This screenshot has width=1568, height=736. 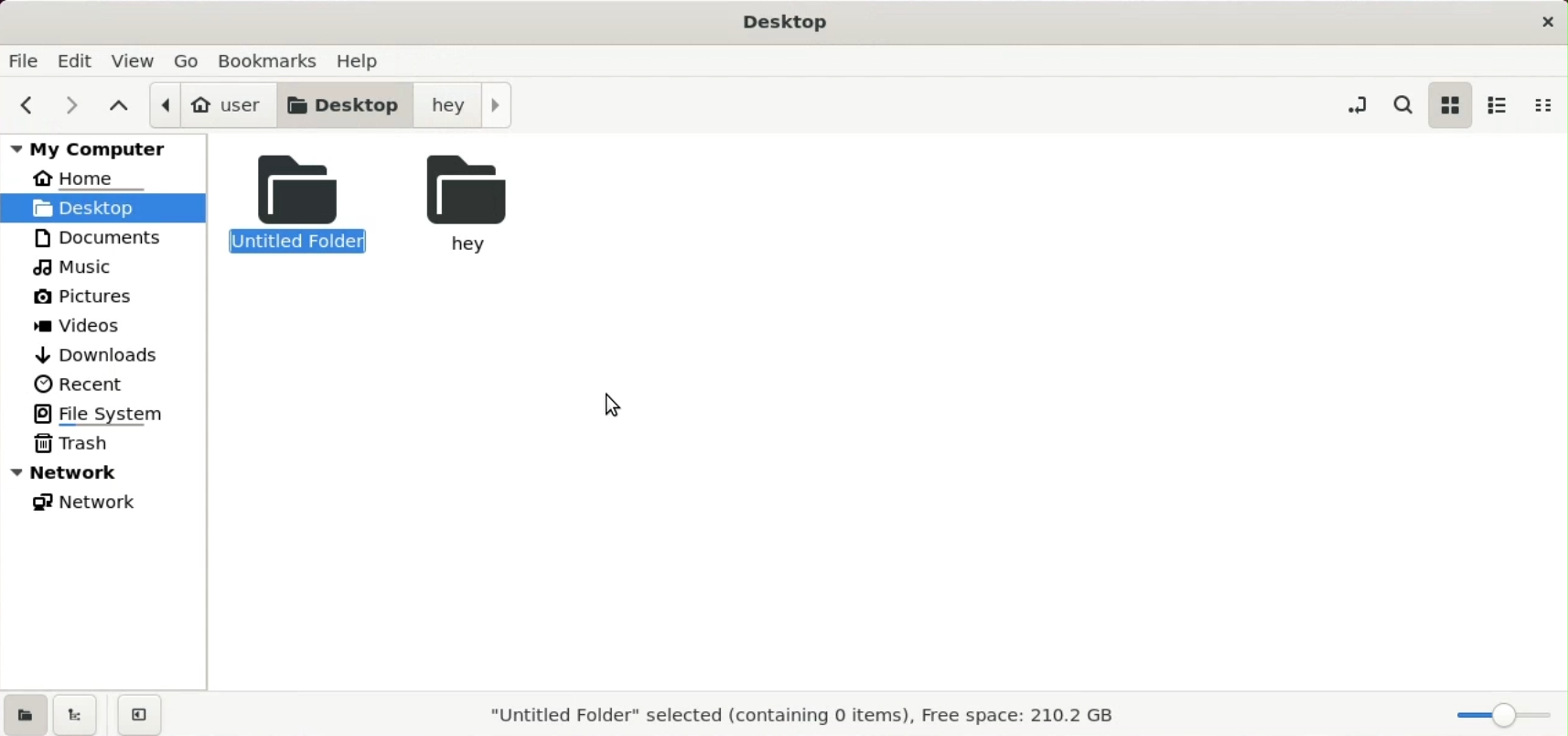 What do you see at coordinates (105, 147) in the screenshot?
I see `my computer` at bounding box center [105, 147].